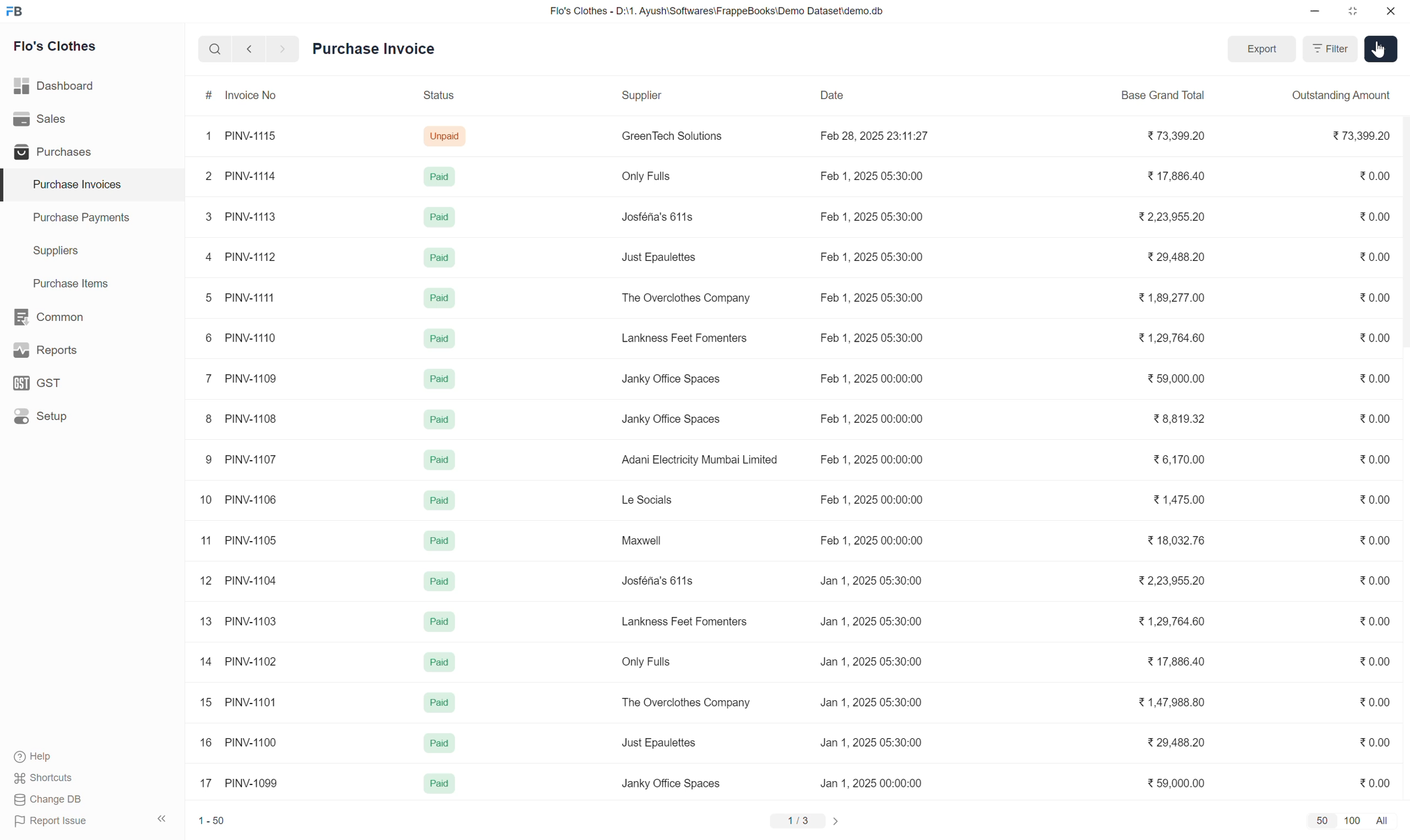  Describe the element at coordinates (160, 817) in the screenshot. I see `hide` at that location.